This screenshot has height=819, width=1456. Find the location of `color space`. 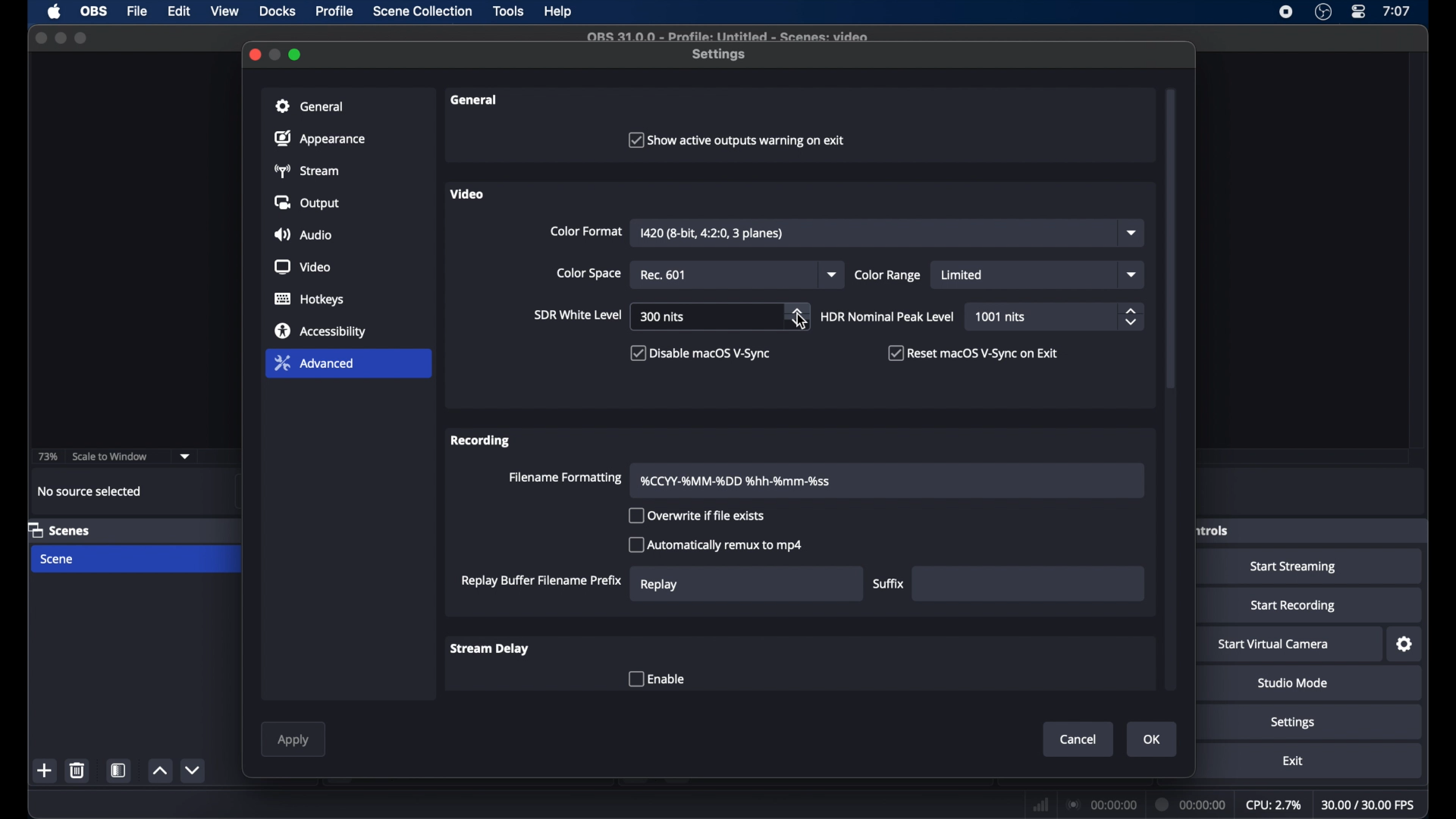

color space is located at coordinates (591, 274).